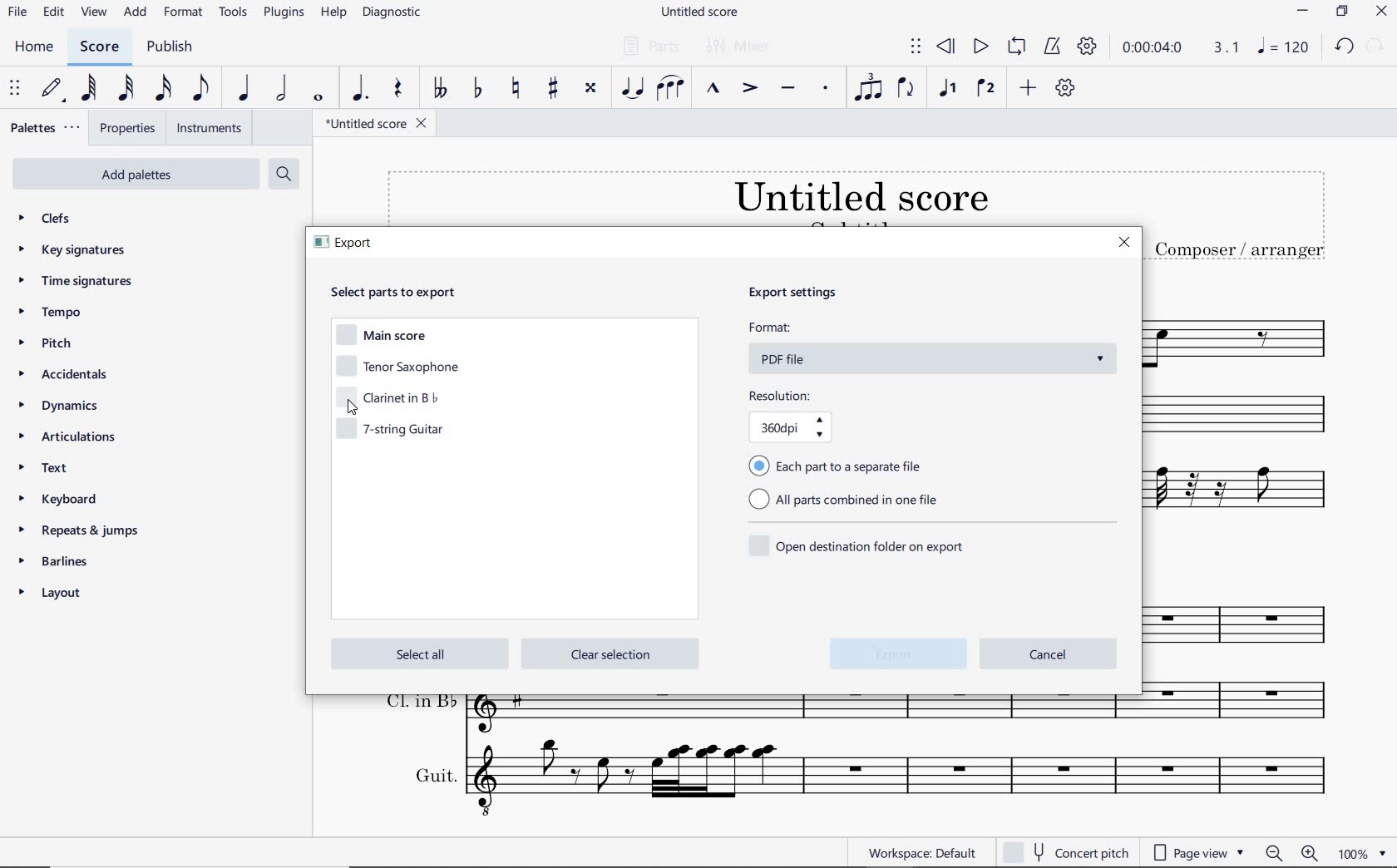 This screenshot has height=868, width=1397. Describe the element at coordinates (749, 86) in the screenshot. I see `ACCENT` at that location.